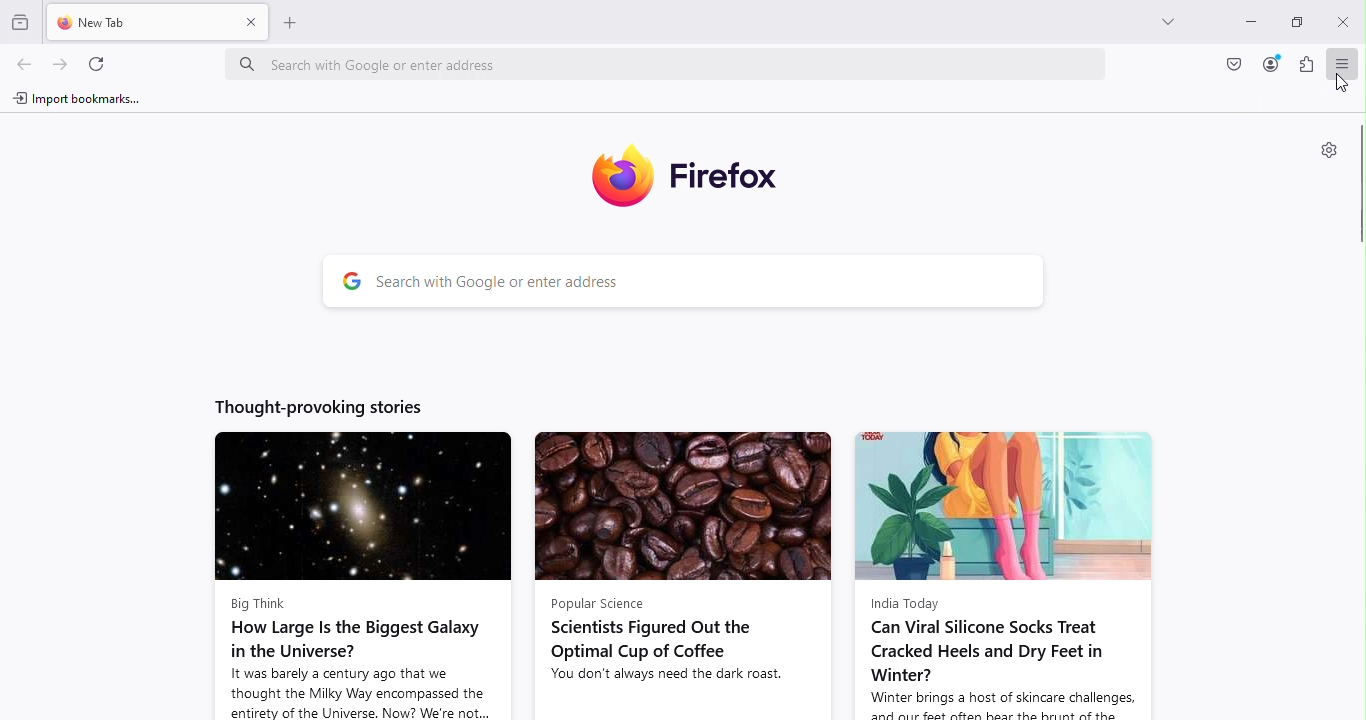 The image size is (1366, 720). What do you see at coordinates (1158, 19) in the screenshot?
I see `List all tabs` at bounding box center [1158, 19].